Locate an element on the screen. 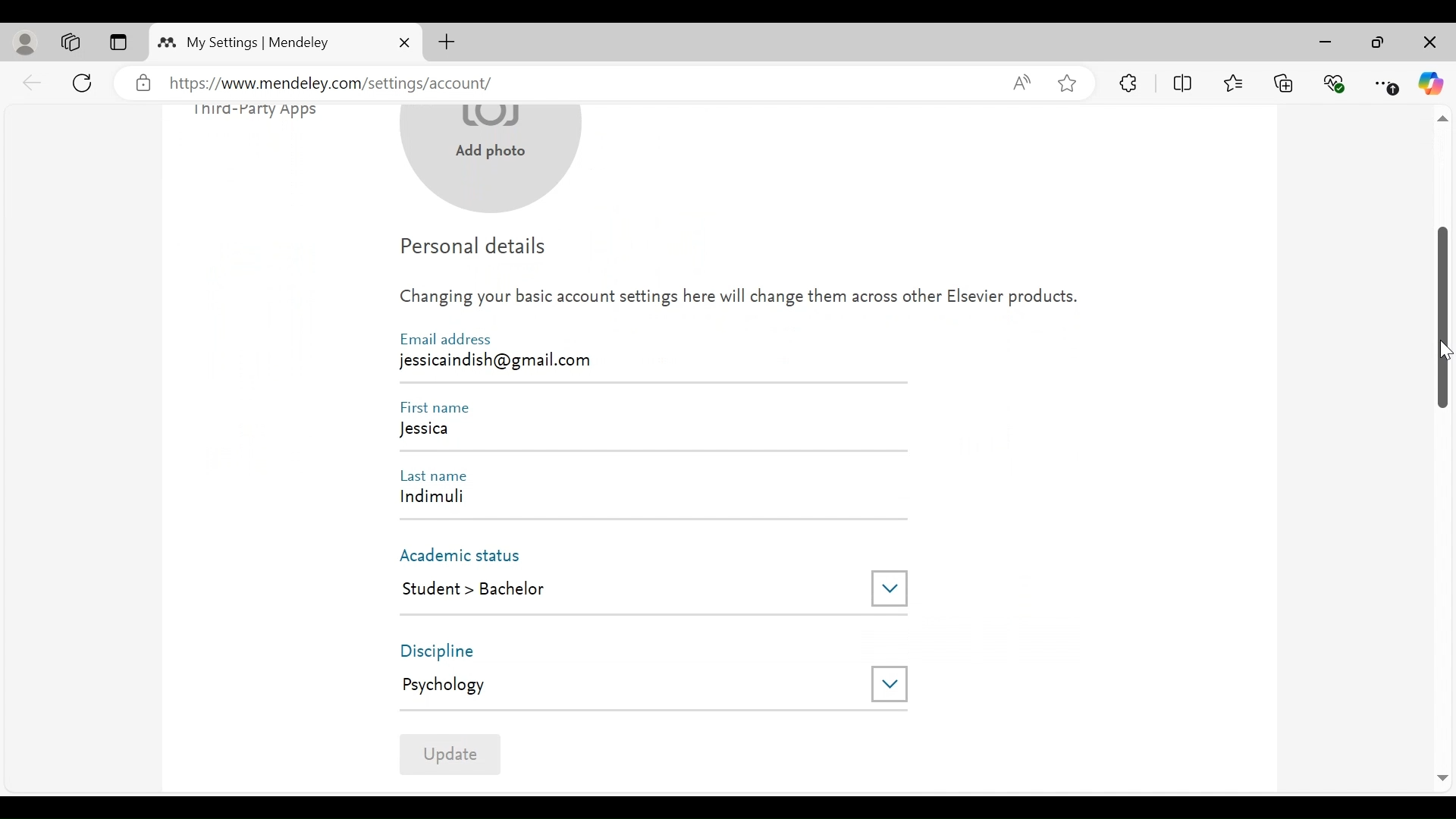 The height and width of the screenshot is (819, 1456). Close is located at coordinates (404, 42).